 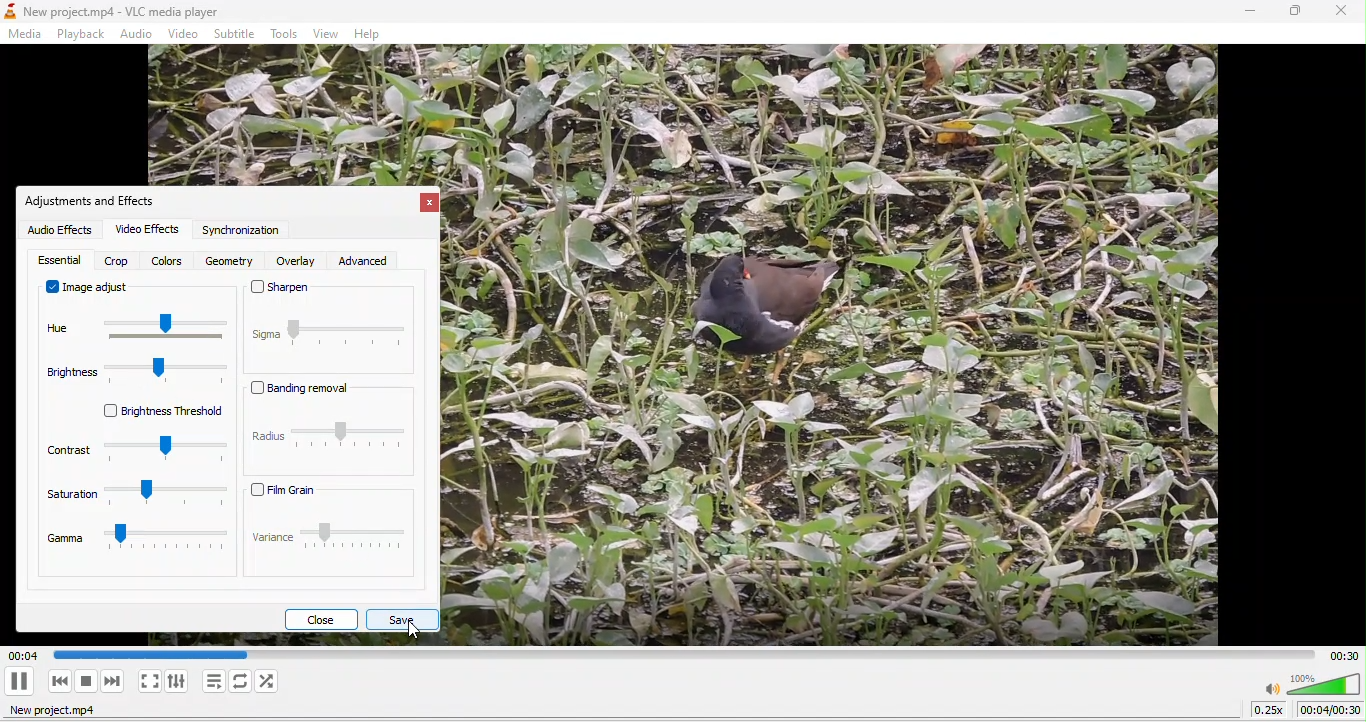 I want to click on banding removal, so click(x=312, y=393).